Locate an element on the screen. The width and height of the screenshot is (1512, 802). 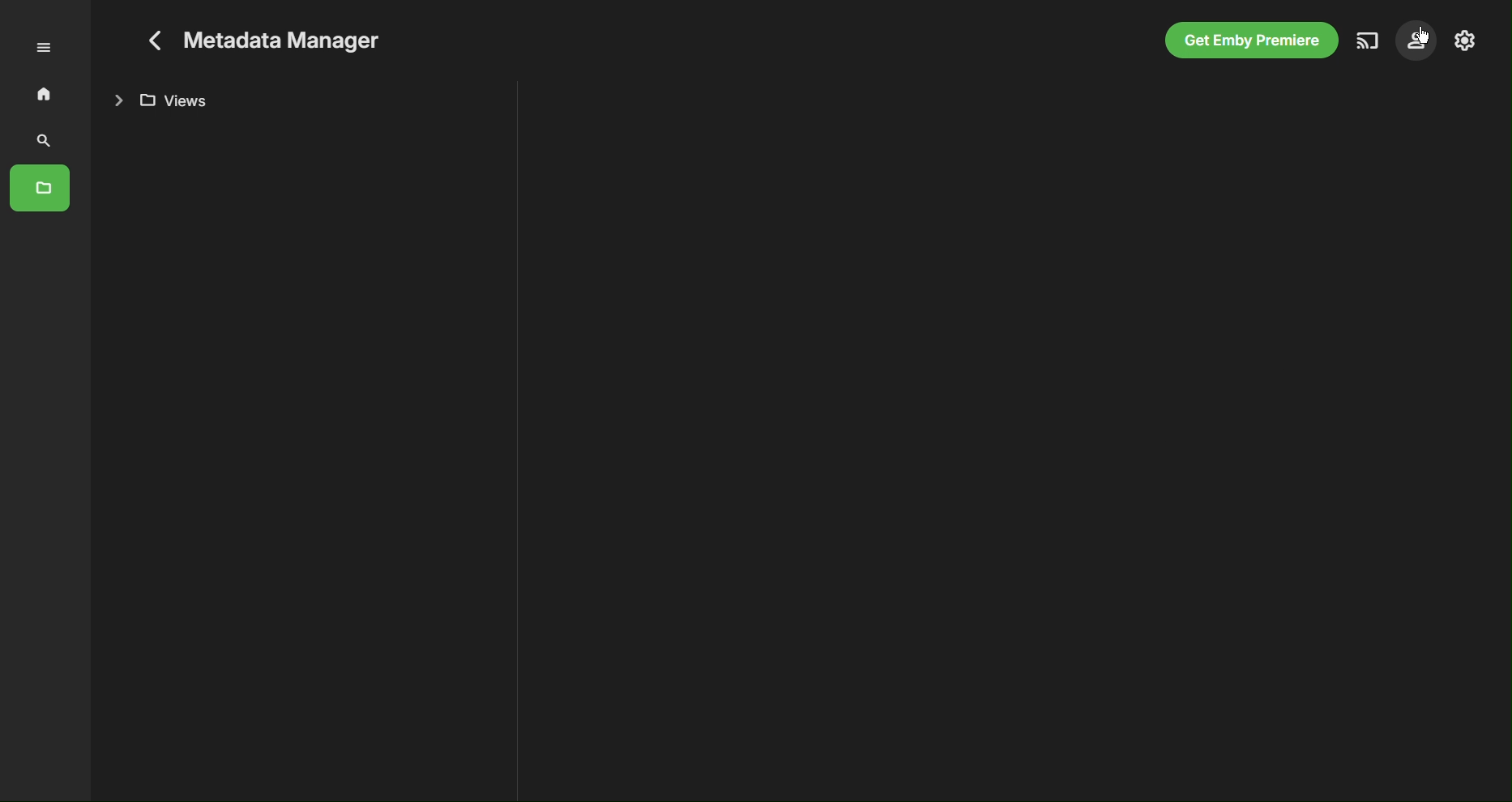
Folders is located at coordinates (43, 186).